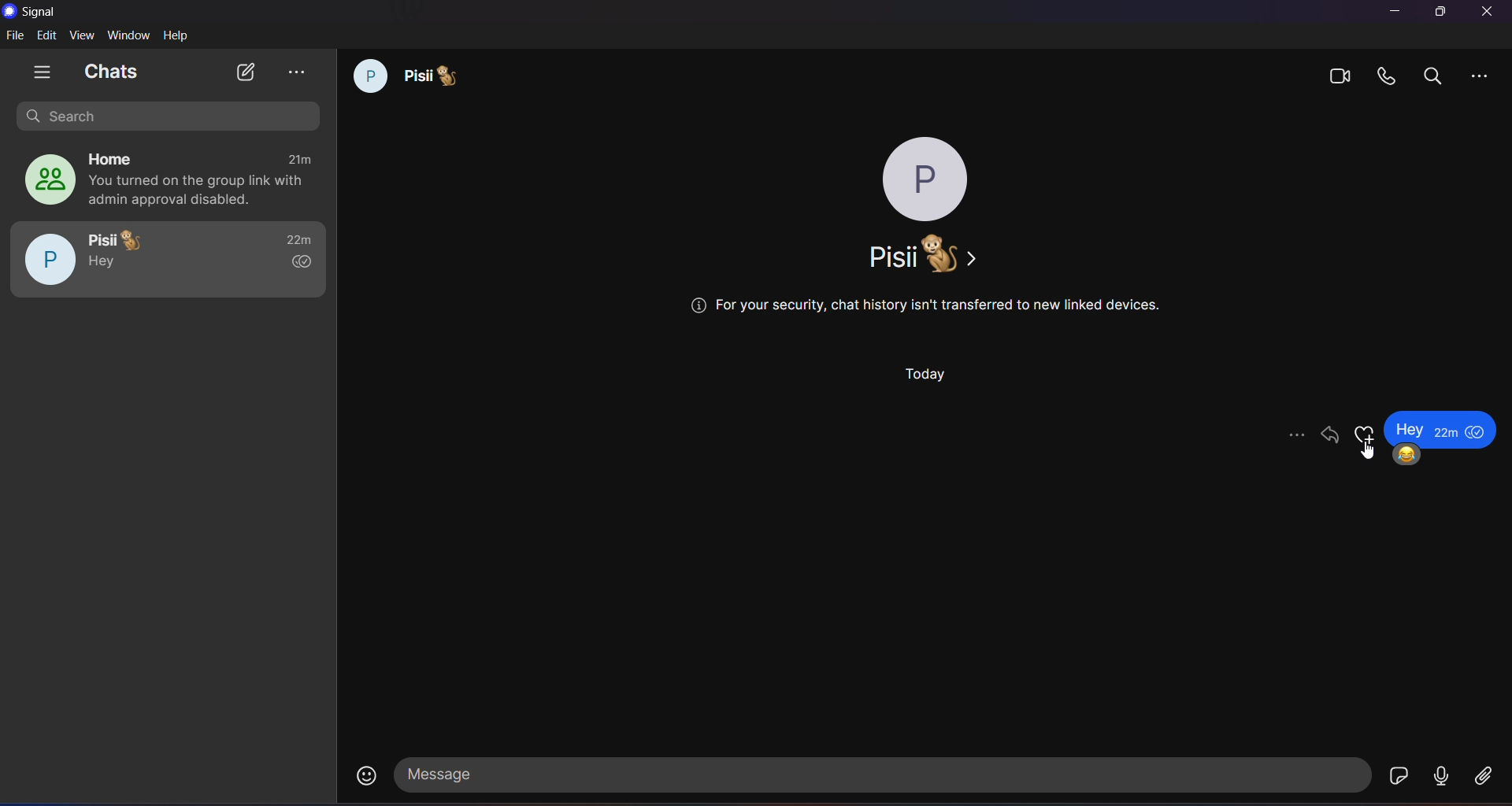 This screenshot has width=1512, height=806. What do you see at coordinates (1439, 12) in the screenshot?
I see `maximize` at bounding box center [1439, 12].